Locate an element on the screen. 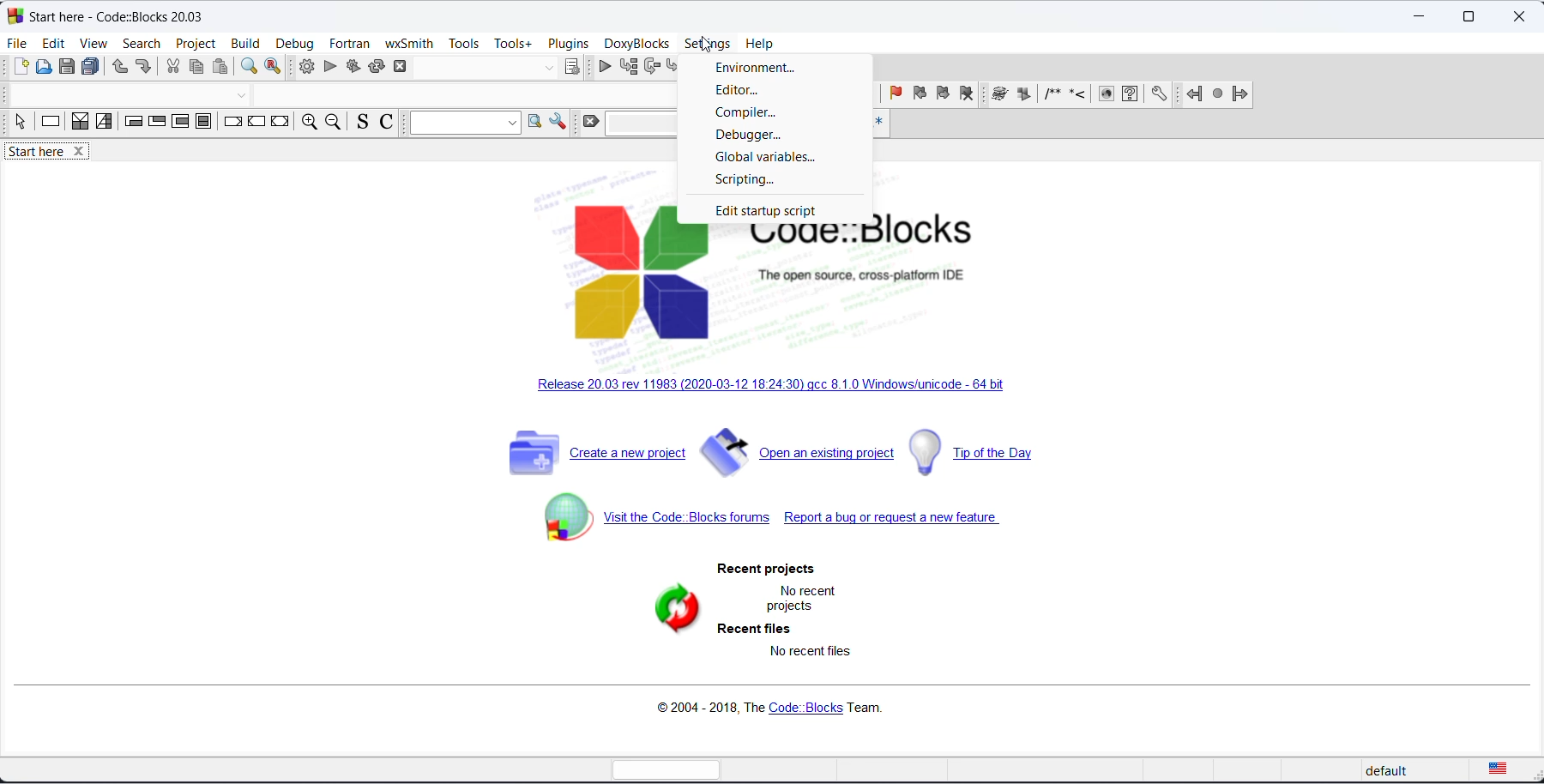 The image size is (1544, 784). build is located at coordinates (244, 45).